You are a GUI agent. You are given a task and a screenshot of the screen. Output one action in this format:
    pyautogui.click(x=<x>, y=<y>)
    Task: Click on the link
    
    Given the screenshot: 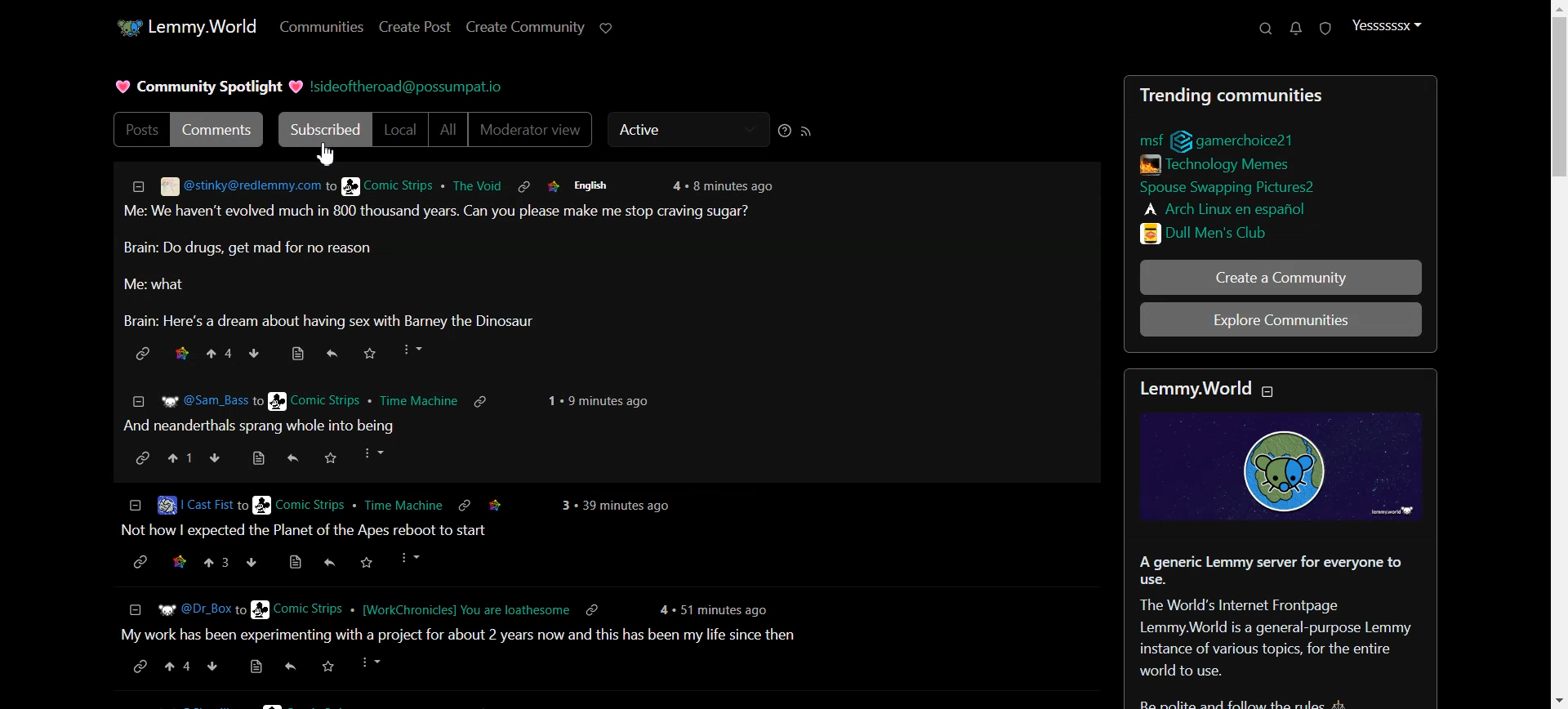 What is the action you would take?
    pyautogui.click(x=1145, y=139)
    